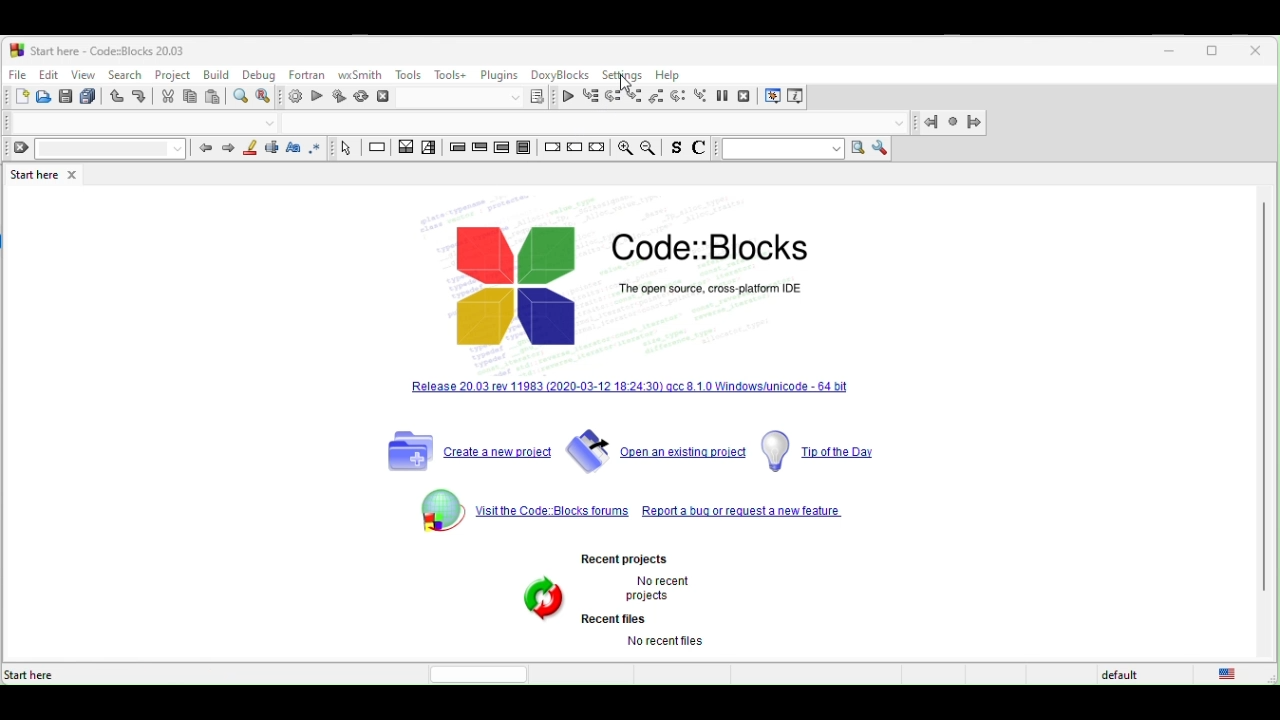 The height and width of the screenshot is (720, 1280). Describe the element at coordinates (482, 149) in the screenshot. I see `exit` at that location.